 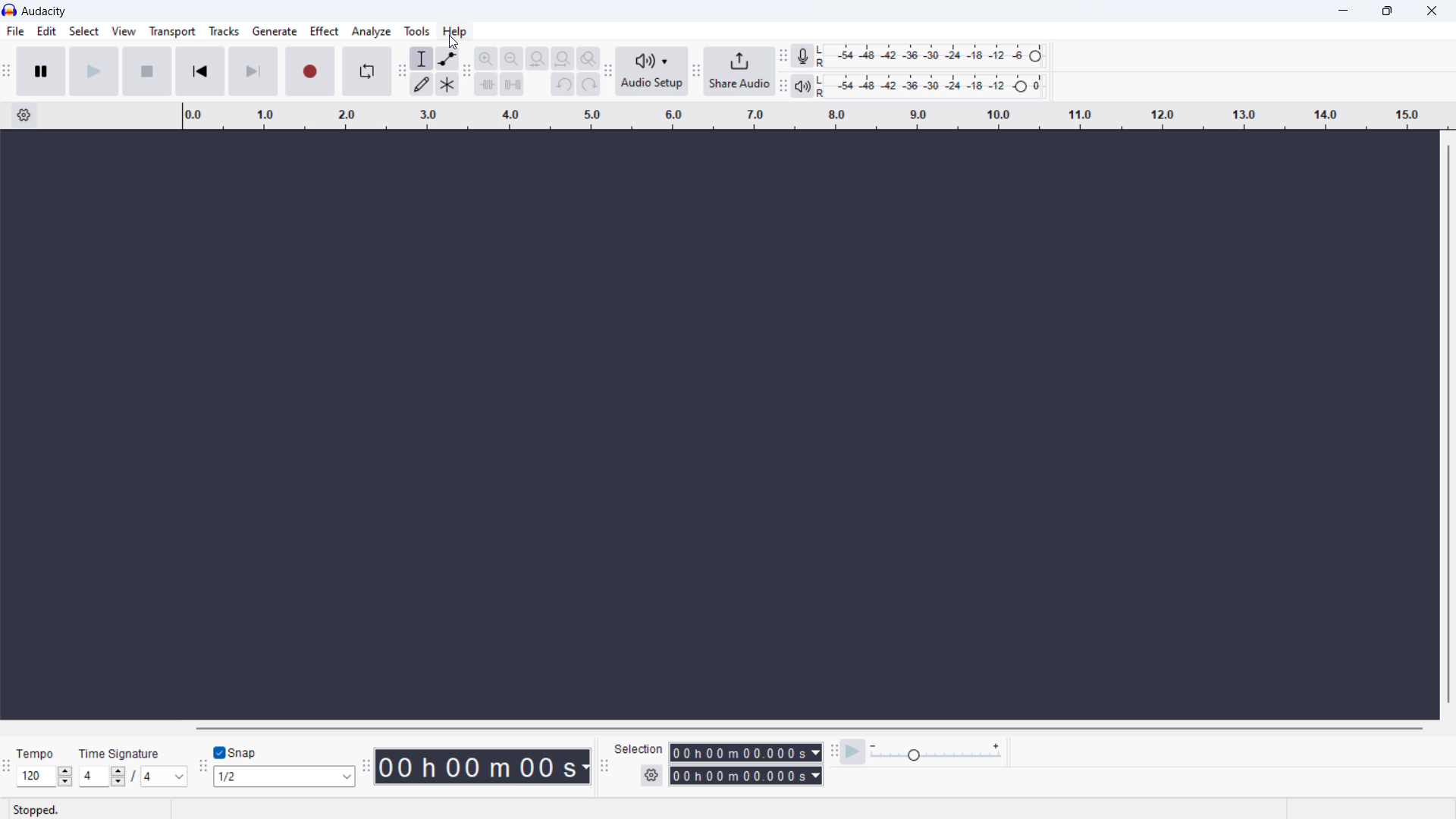 What do you see at coordinates (146, 71) in the screenshot?
I see `stop` at bounding box center [146, 71].